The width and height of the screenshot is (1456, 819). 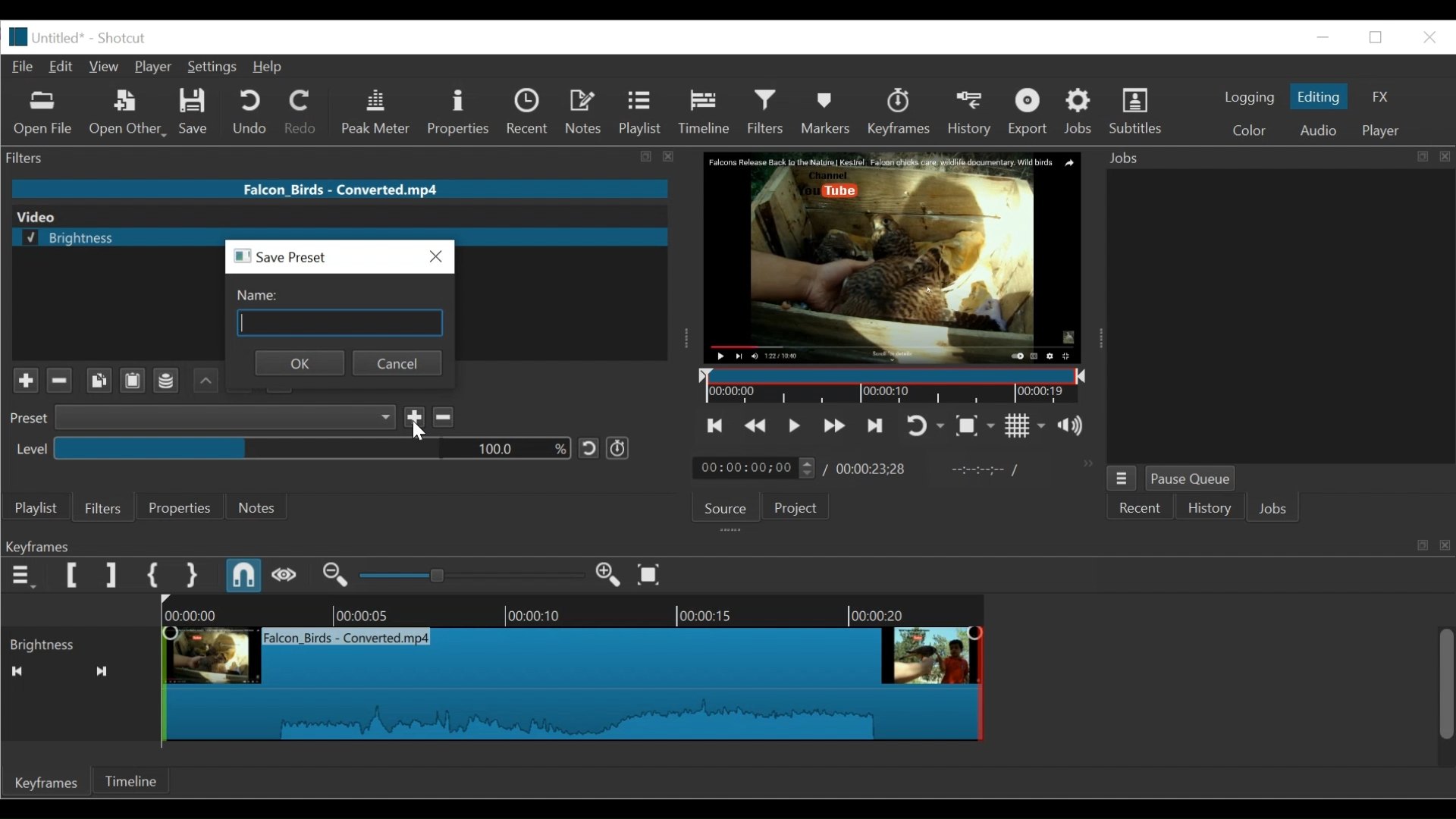 I want to click on Toggle player looping, so click(x=923, y=427).